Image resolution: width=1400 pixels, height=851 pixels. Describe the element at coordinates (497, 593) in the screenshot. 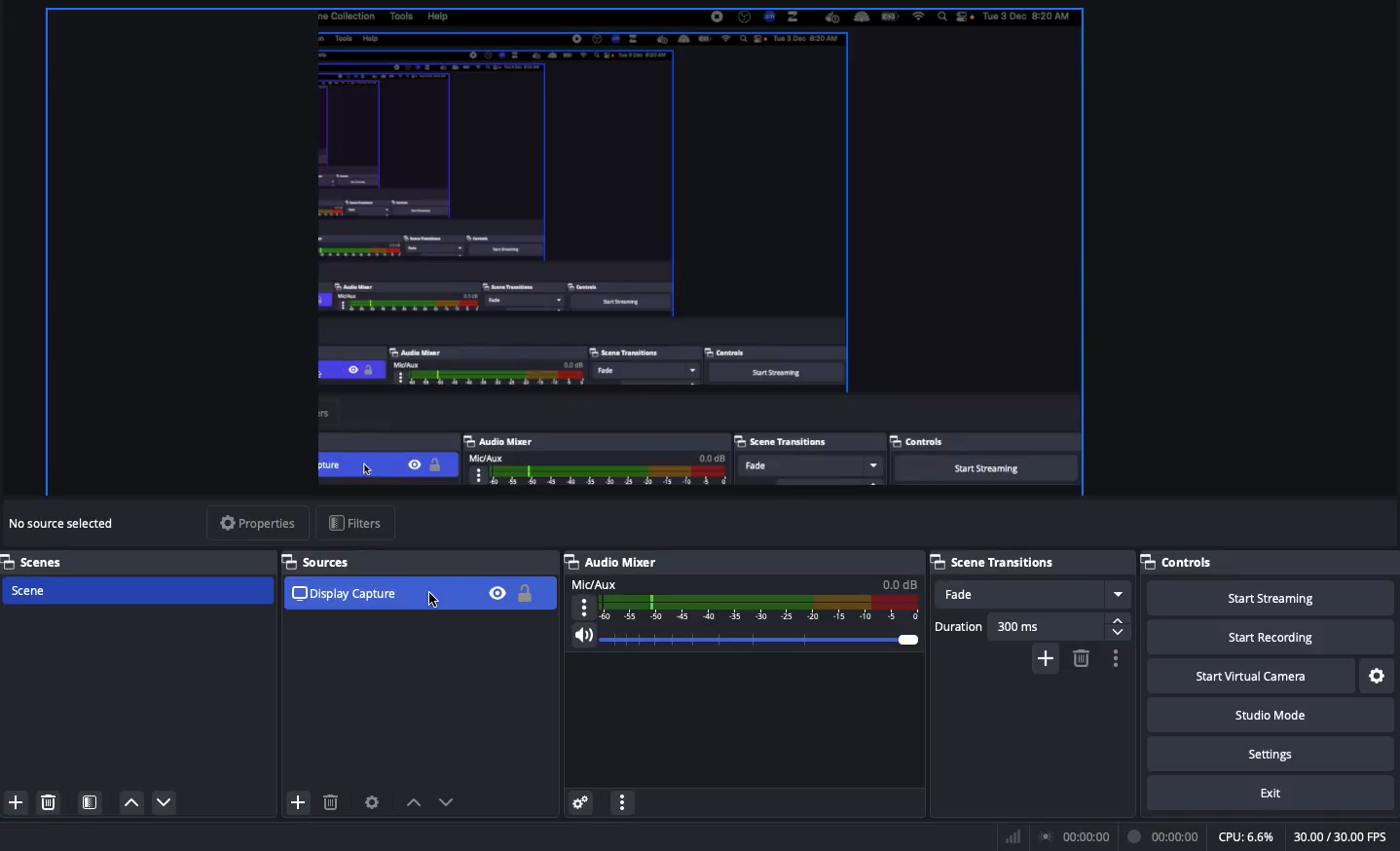

I see `Visible` at that location.